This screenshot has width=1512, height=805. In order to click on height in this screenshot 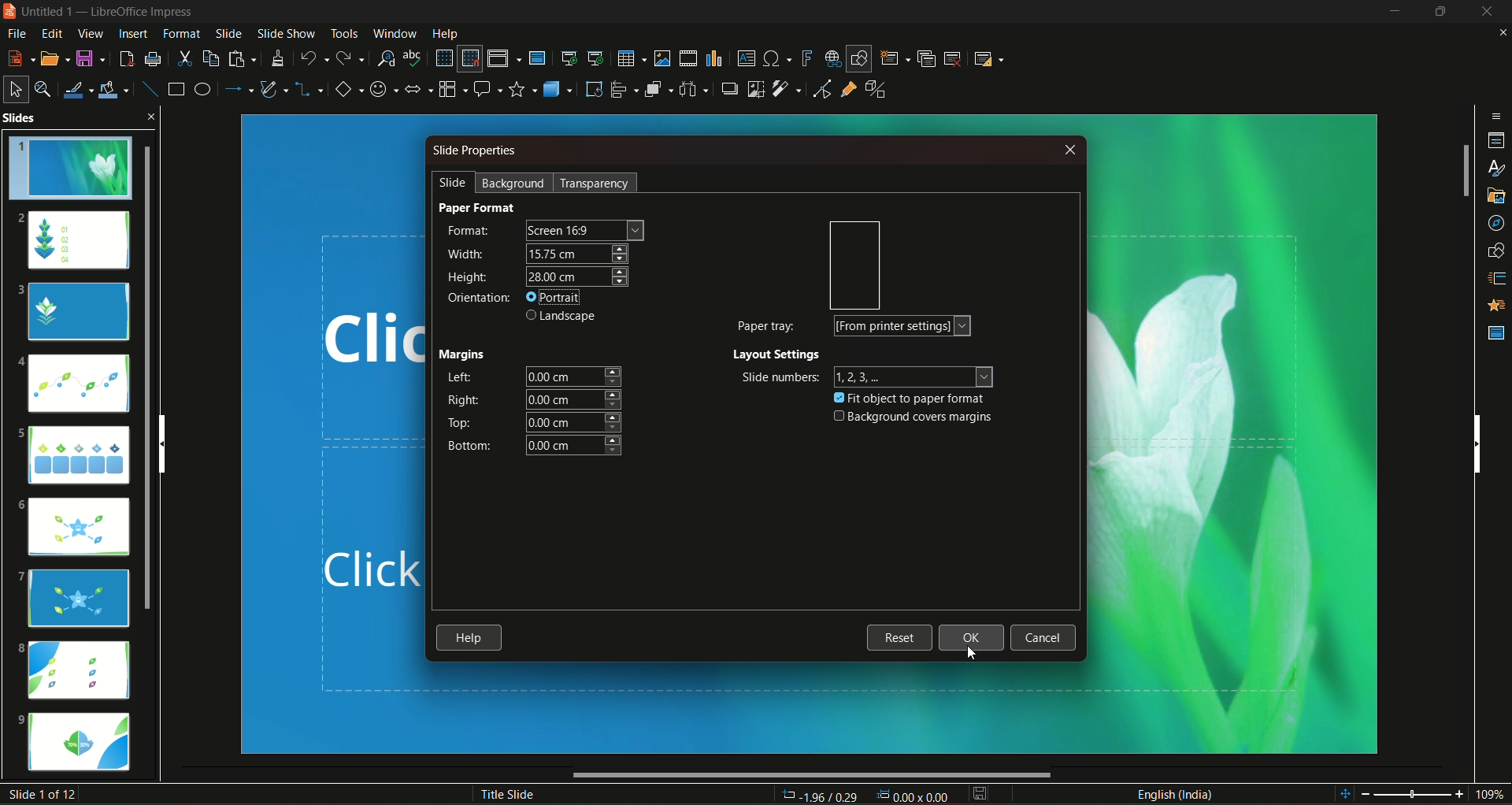, I will do `click(576, 277)`.